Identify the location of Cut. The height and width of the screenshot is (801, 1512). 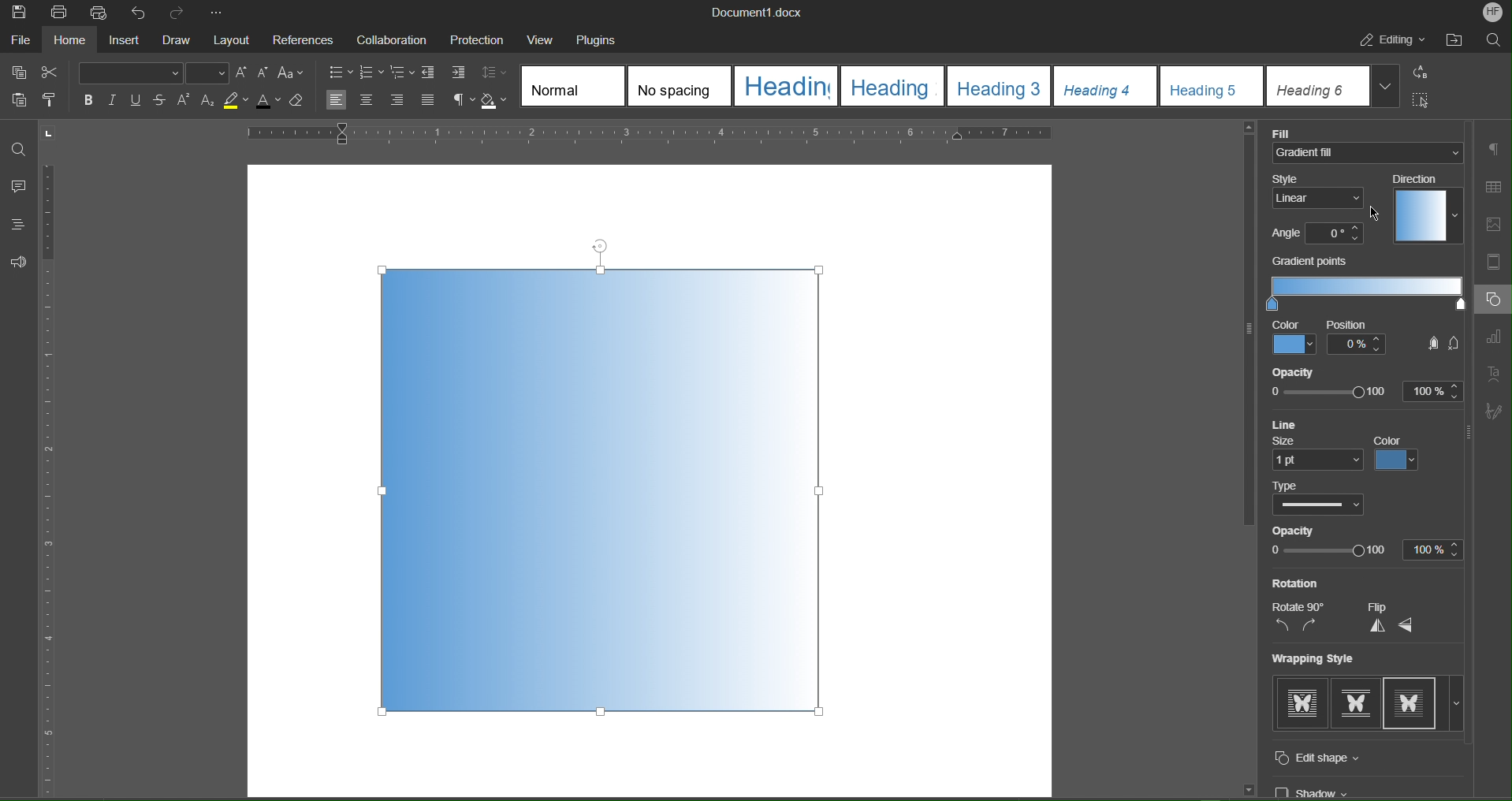
(54, 73).